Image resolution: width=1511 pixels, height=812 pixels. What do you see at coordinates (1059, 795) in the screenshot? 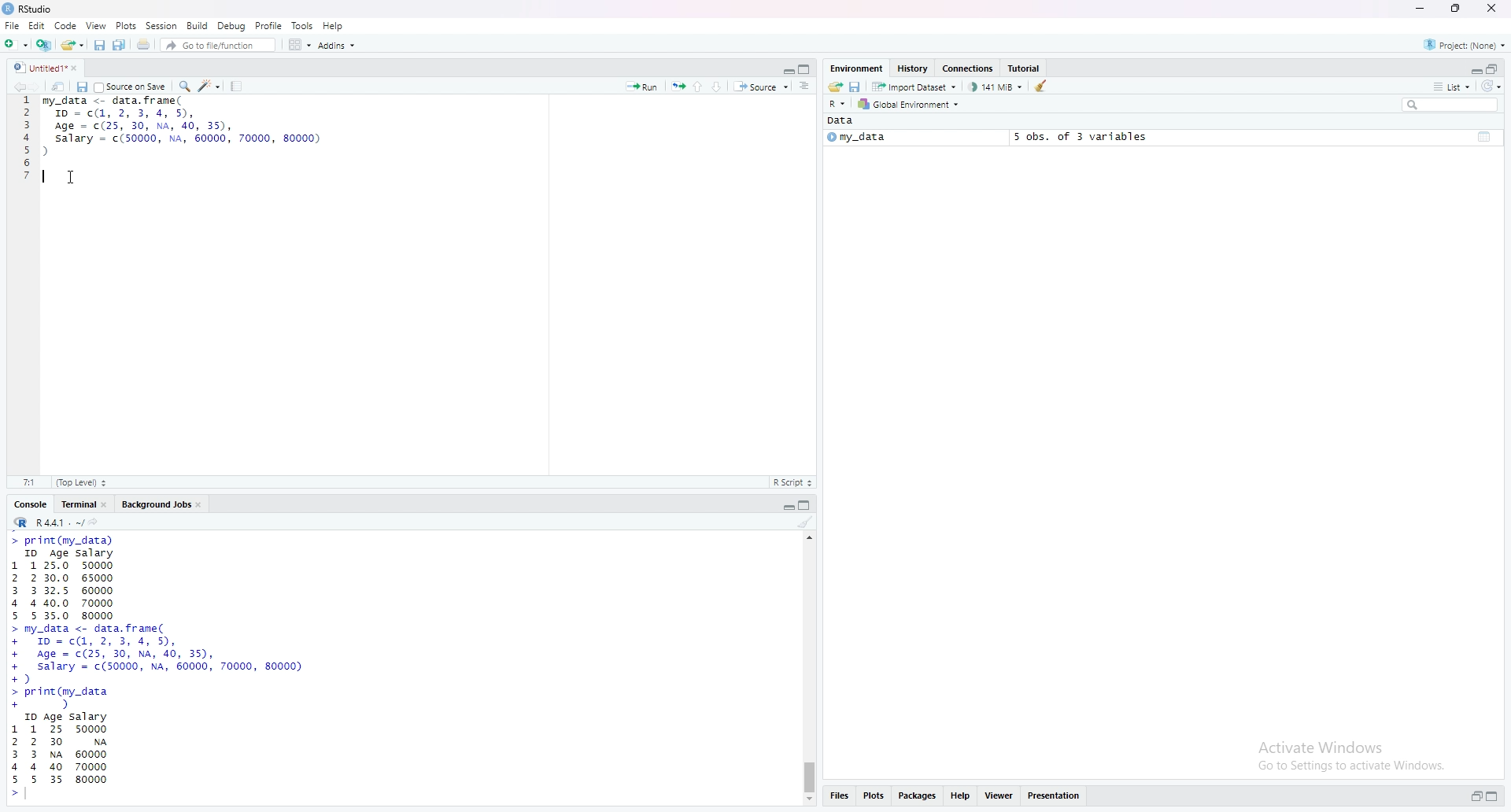
I see `presentation` at bounding box center [1059, 795].